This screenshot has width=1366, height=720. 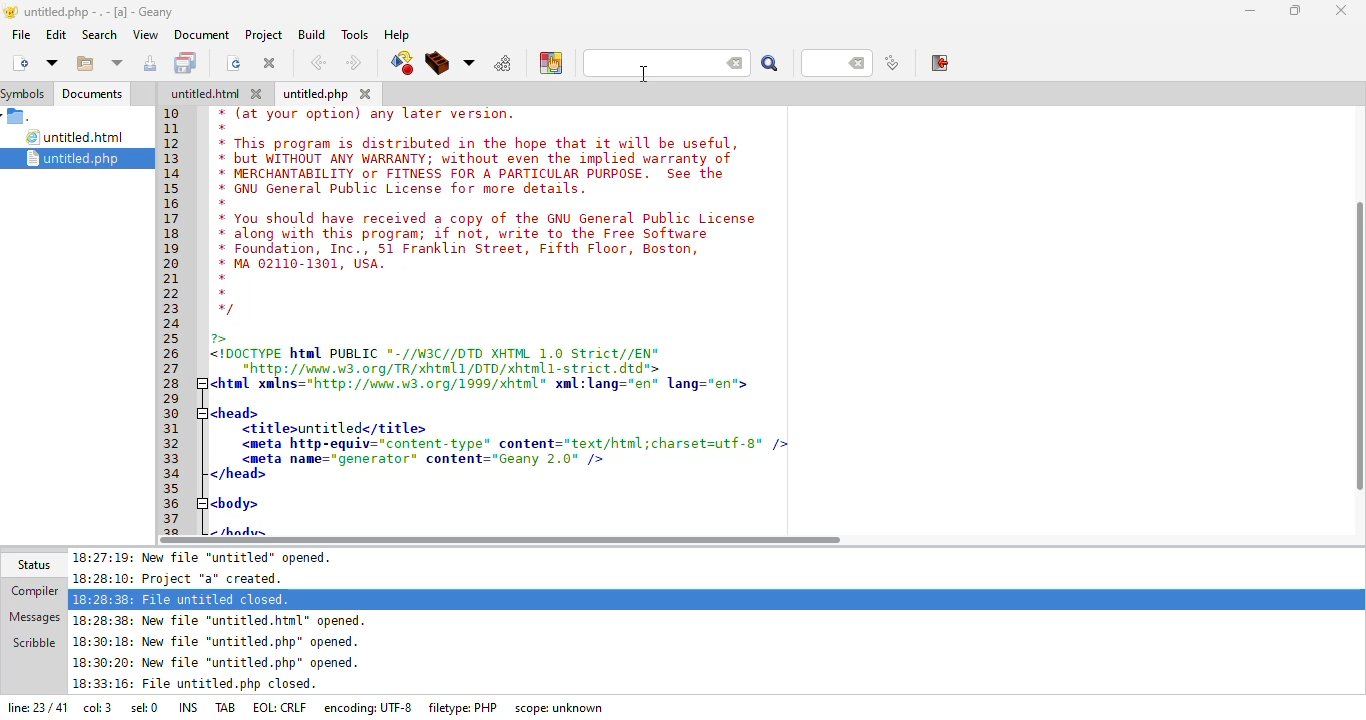 What do you see at coordinates (354, 34) in the screenshot?
I see `tools` at bounding box center [354, 34].